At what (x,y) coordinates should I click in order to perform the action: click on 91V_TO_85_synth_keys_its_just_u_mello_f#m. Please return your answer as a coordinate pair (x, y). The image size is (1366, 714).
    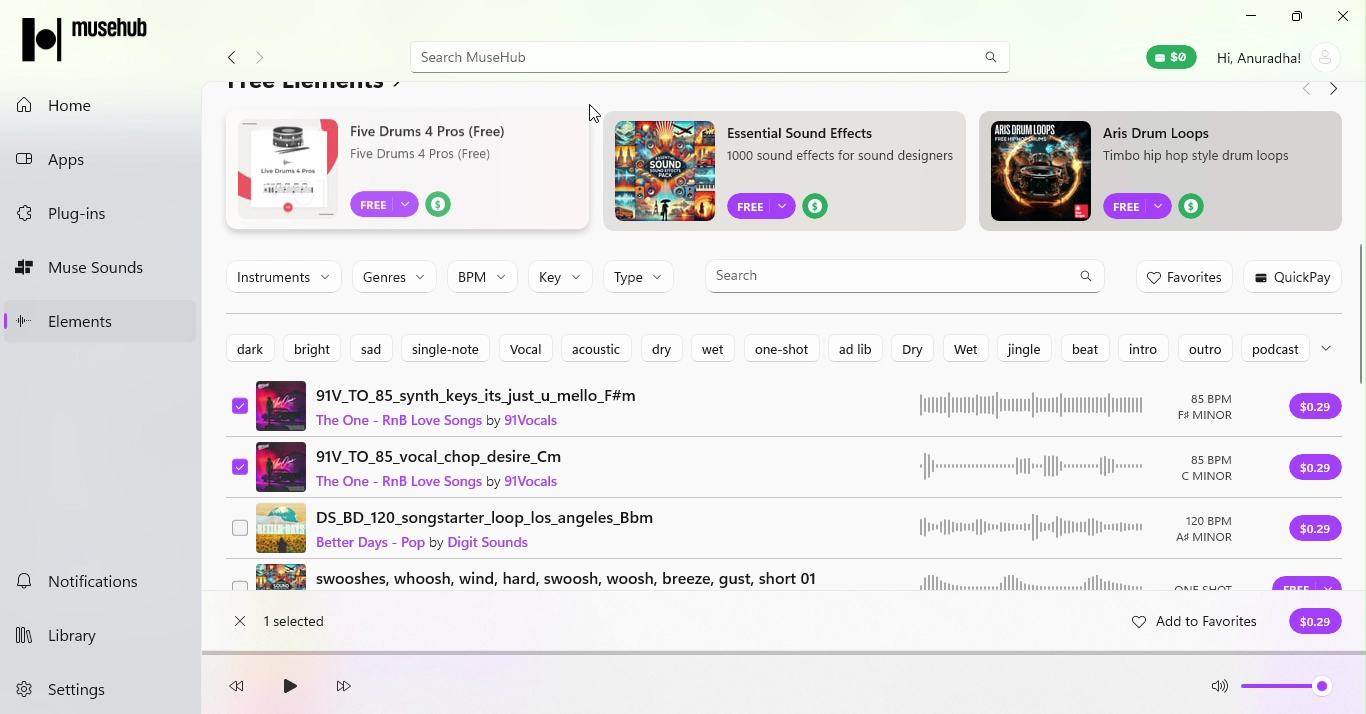
    Looking at the image, I should click on (754, 404).